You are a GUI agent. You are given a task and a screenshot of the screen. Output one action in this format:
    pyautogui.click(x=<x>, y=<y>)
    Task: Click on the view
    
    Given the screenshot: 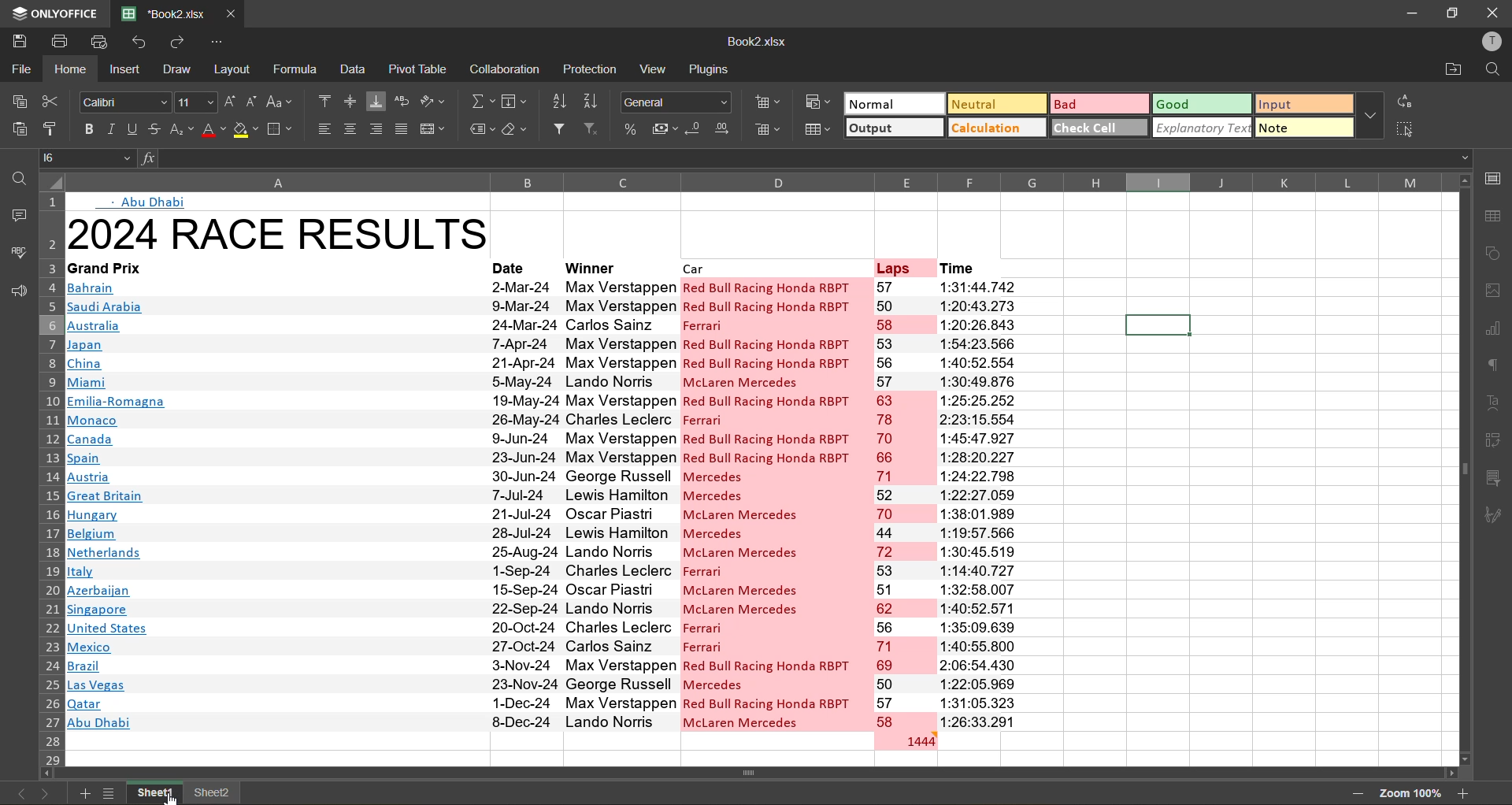 What is the action you would take?
    pyautogui.click(x=652, y=71)
    